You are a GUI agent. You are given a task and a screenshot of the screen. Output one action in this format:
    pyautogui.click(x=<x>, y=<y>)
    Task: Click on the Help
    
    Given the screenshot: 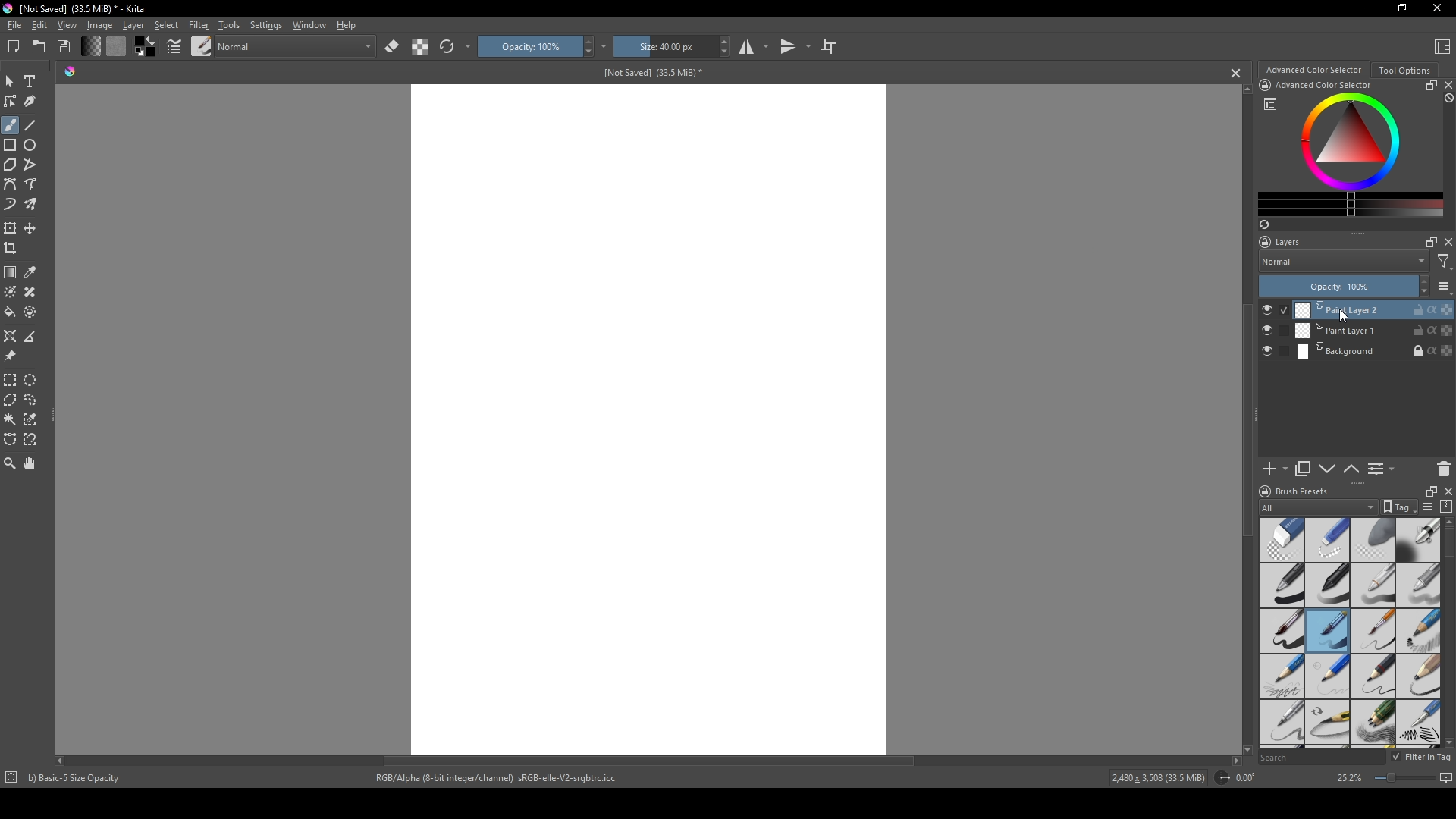 What is the action you would take?
    pyautogui.click(x=347, y=24)
    